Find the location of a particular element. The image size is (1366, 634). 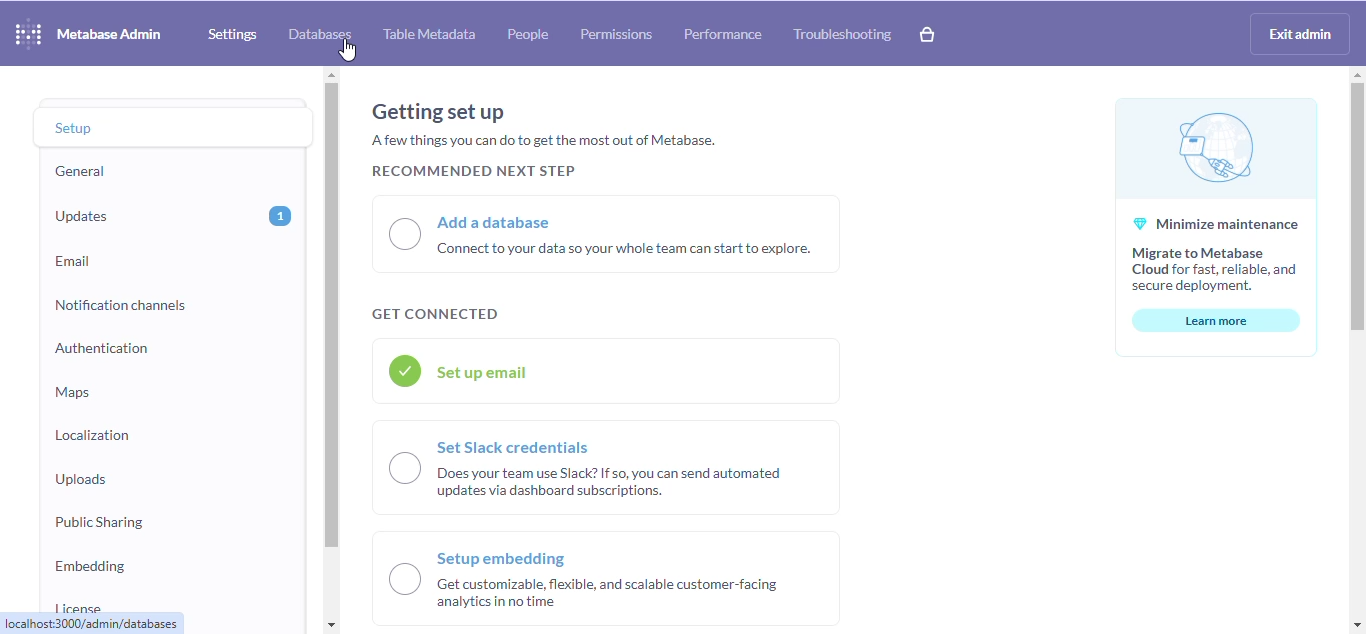

public sharing is located at coordinates (100, 523).